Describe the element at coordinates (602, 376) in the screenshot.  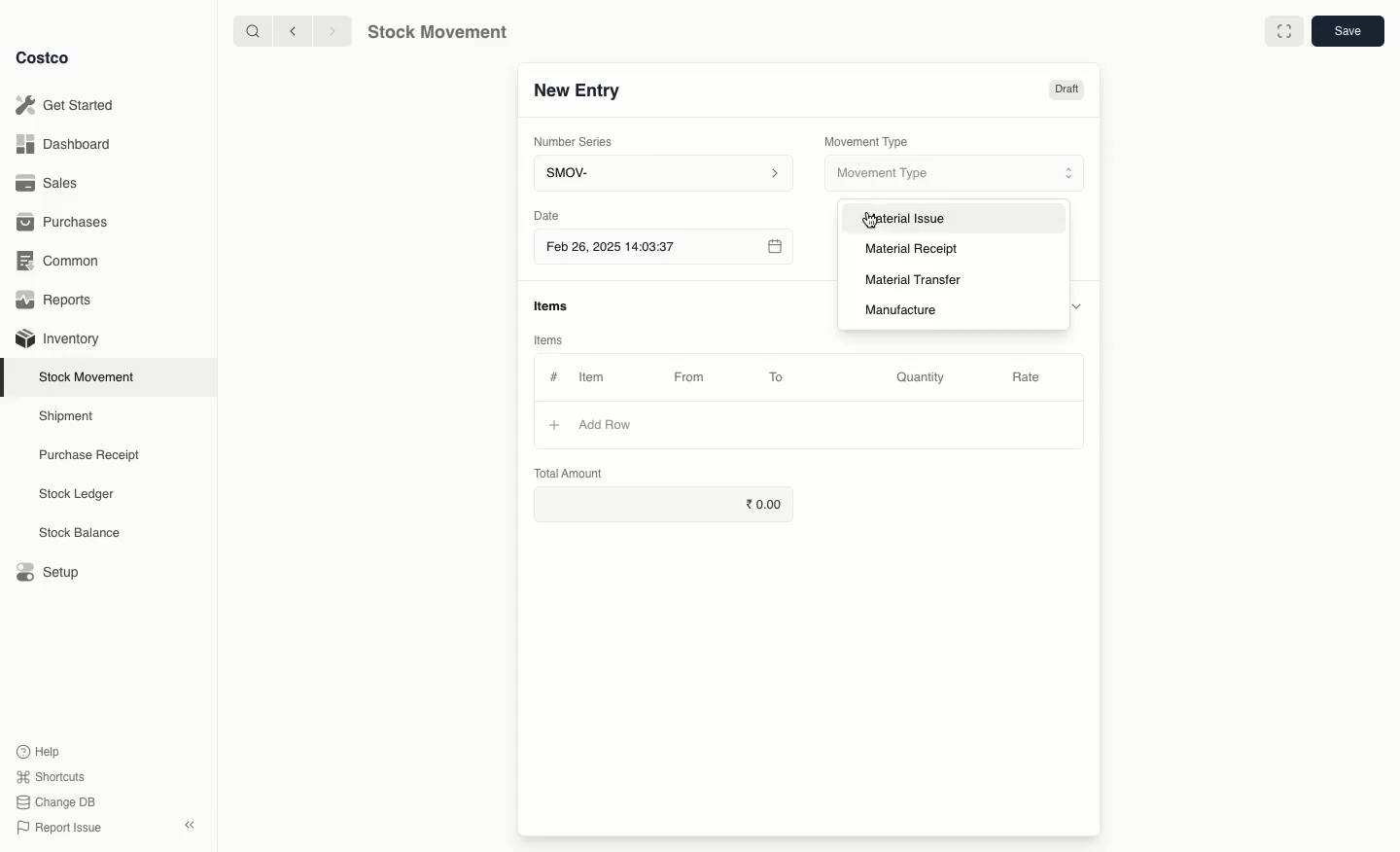
I see `Item` at that location.